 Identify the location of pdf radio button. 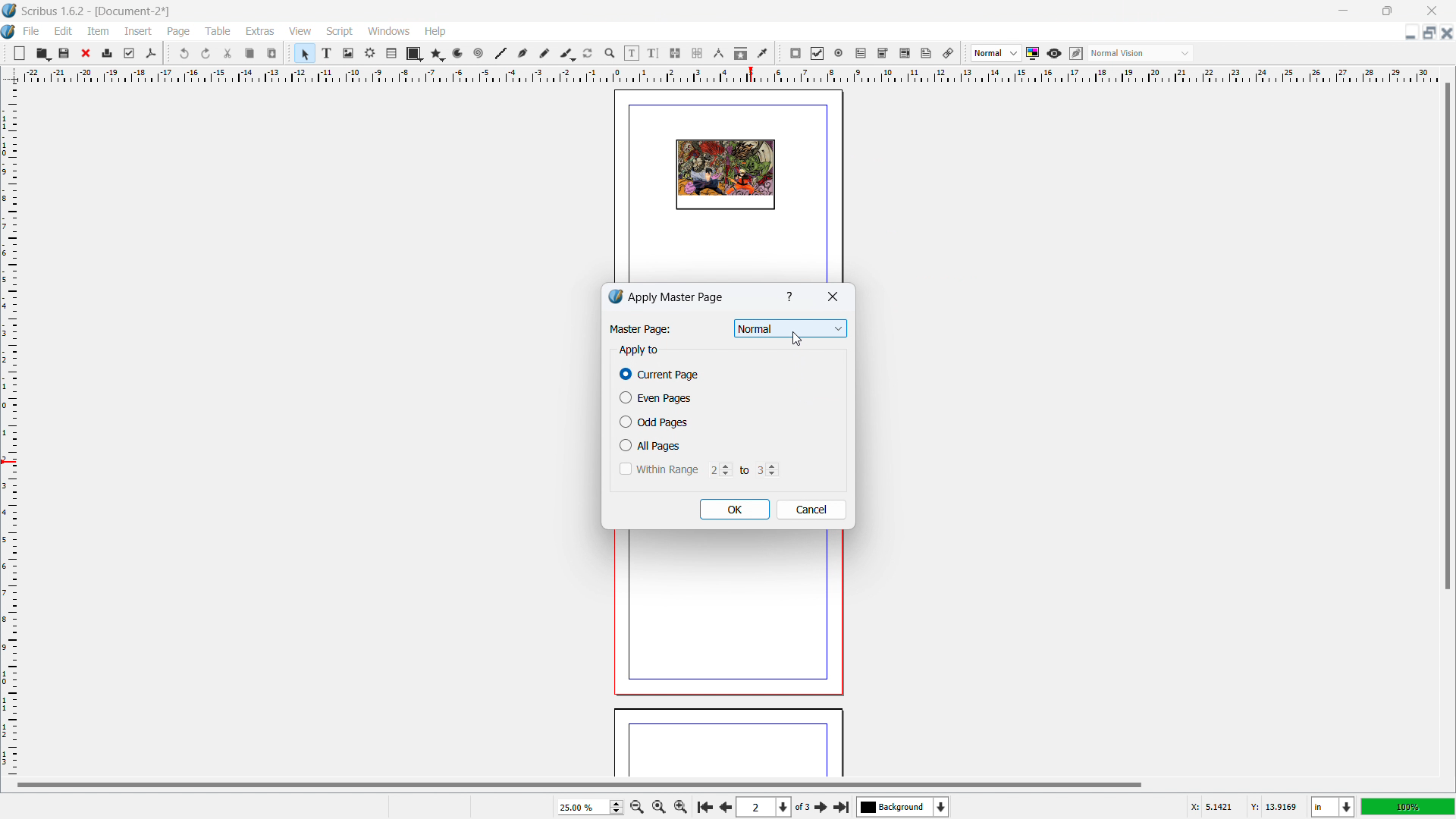
(839, 52).